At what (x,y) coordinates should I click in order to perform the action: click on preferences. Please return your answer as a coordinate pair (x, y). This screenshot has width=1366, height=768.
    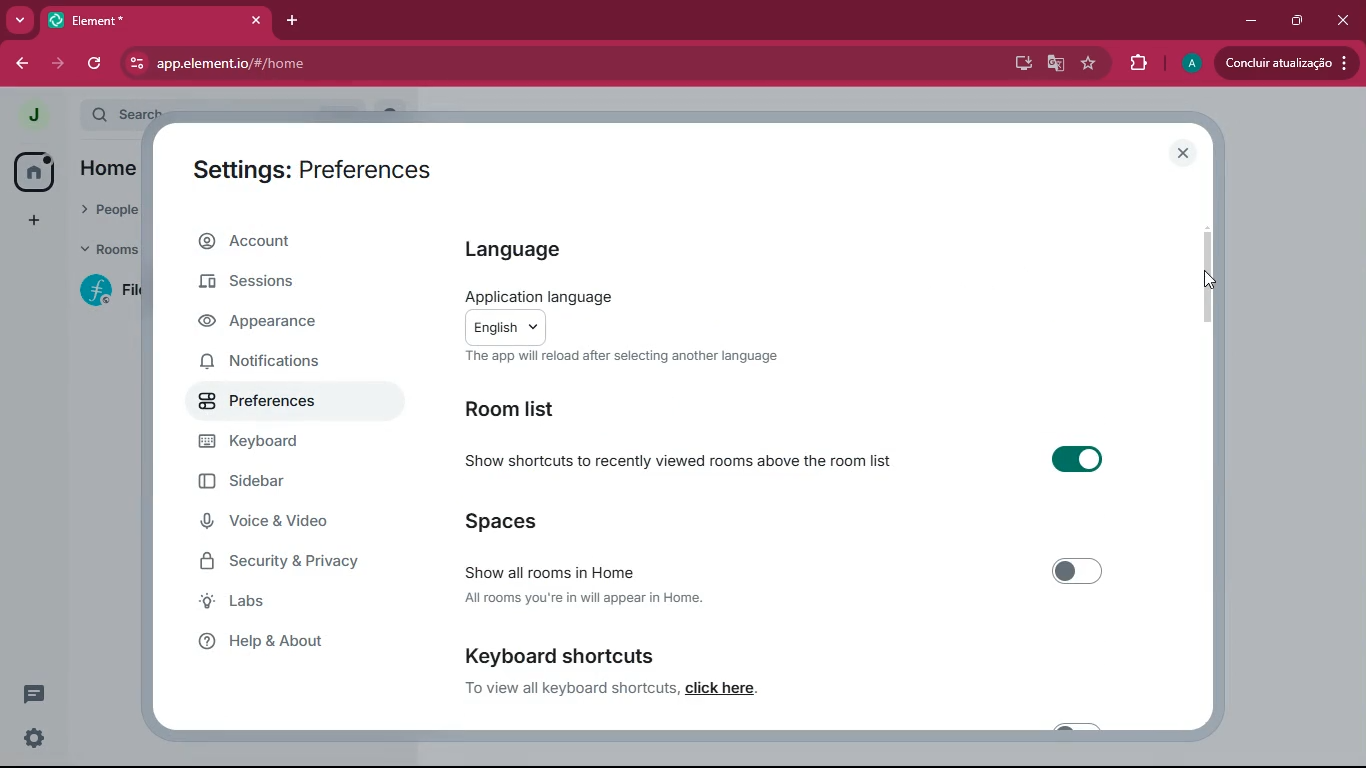
    Looking at the image, I should click on (270, 400).